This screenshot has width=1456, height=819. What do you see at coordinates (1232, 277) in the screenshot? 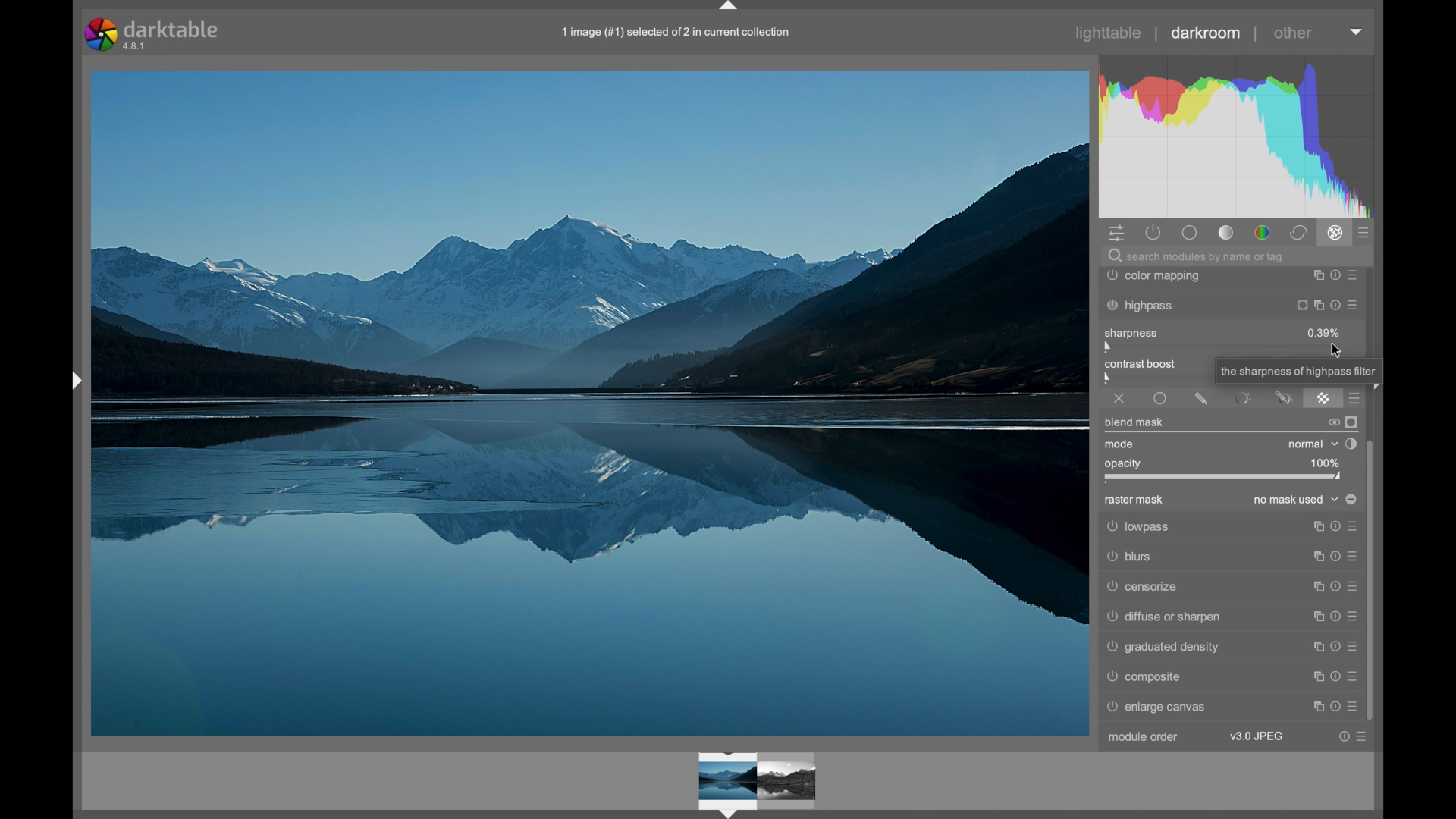
I see `color mapping` at bounding box center [1232, 277].